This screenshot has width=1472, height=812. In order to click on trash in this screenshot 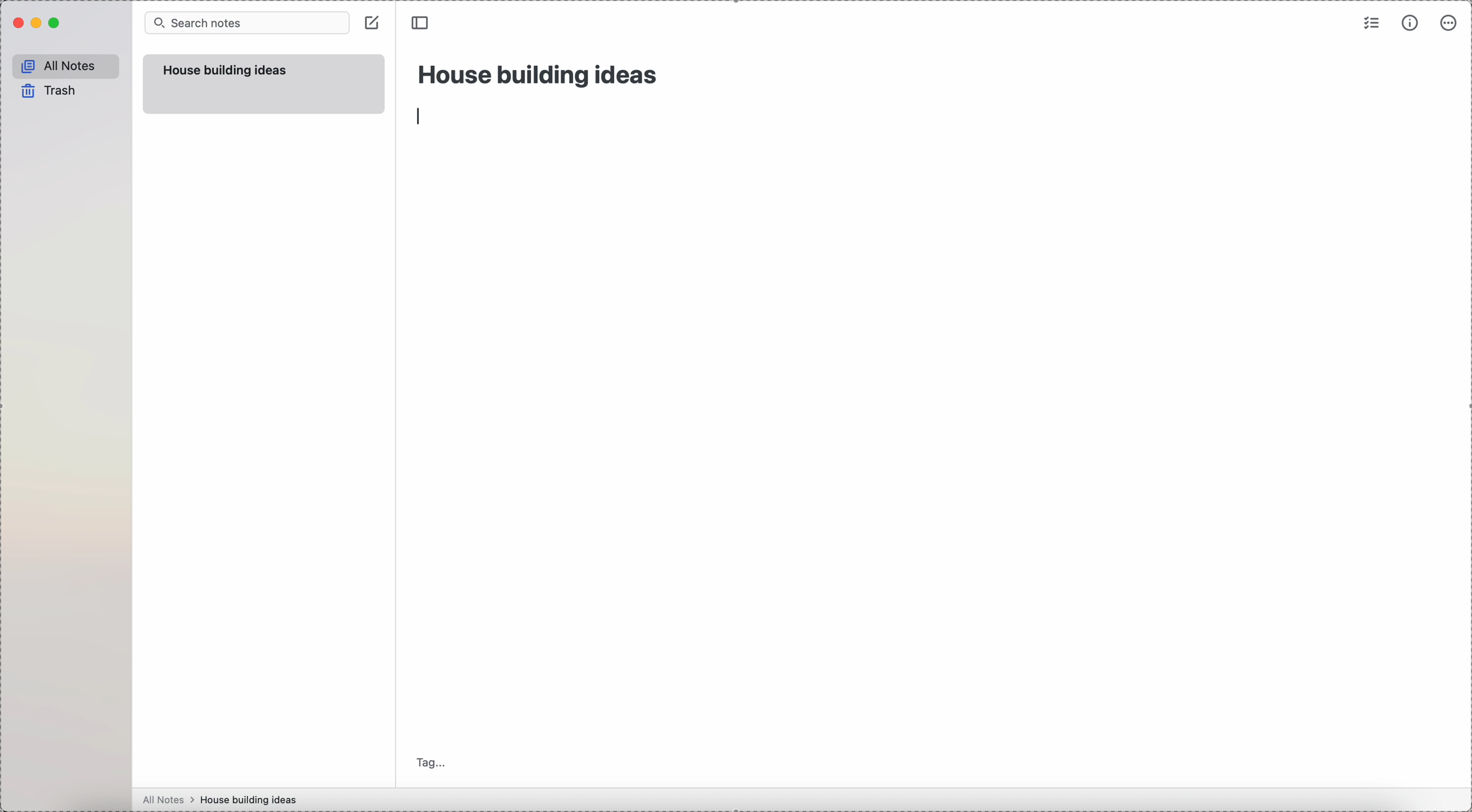, I will do `click(47, 91)`.